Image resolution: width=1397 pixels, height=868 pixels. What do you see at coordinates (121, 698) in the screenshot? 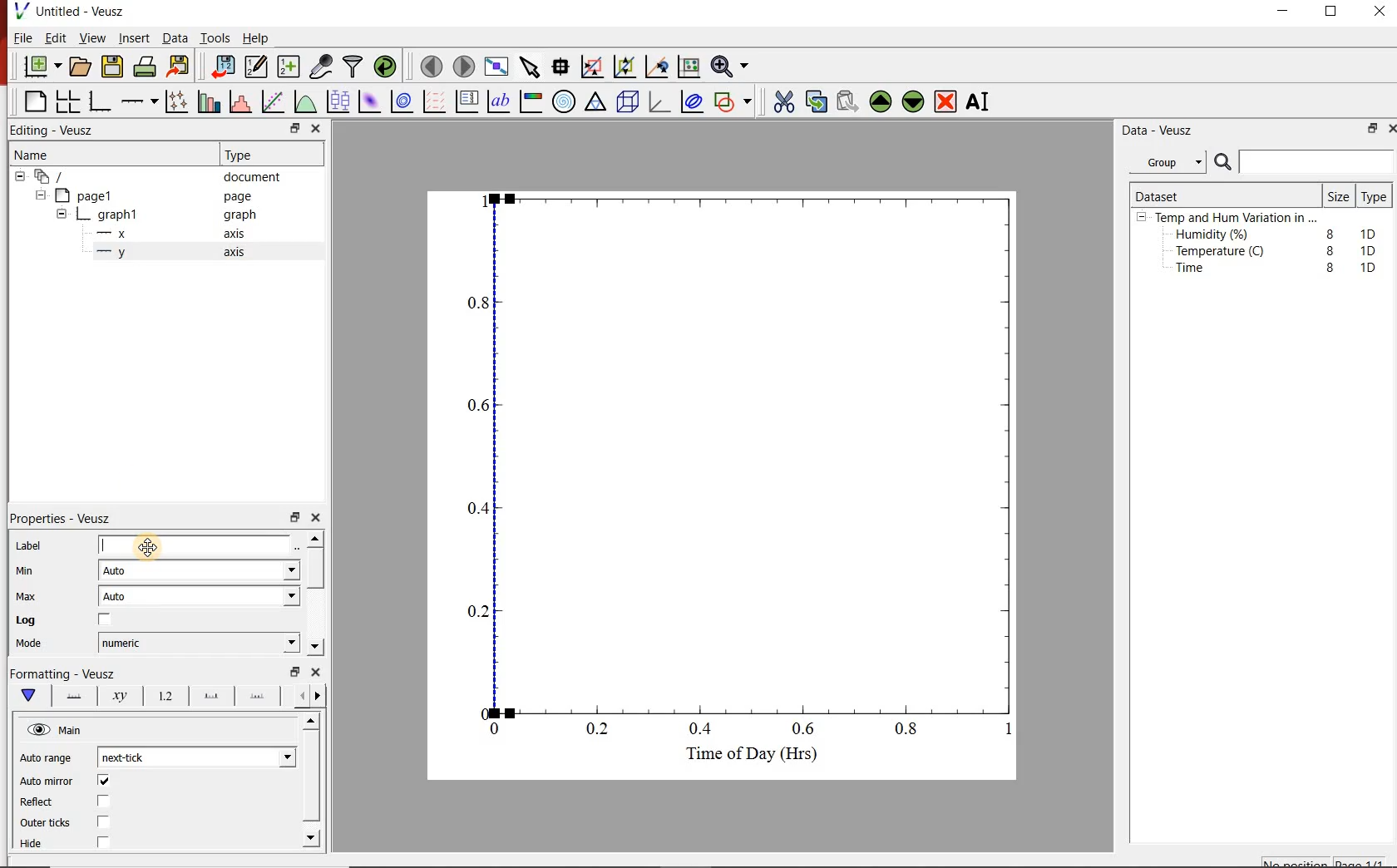
I see `axis label` at bounding box center [121, 698].